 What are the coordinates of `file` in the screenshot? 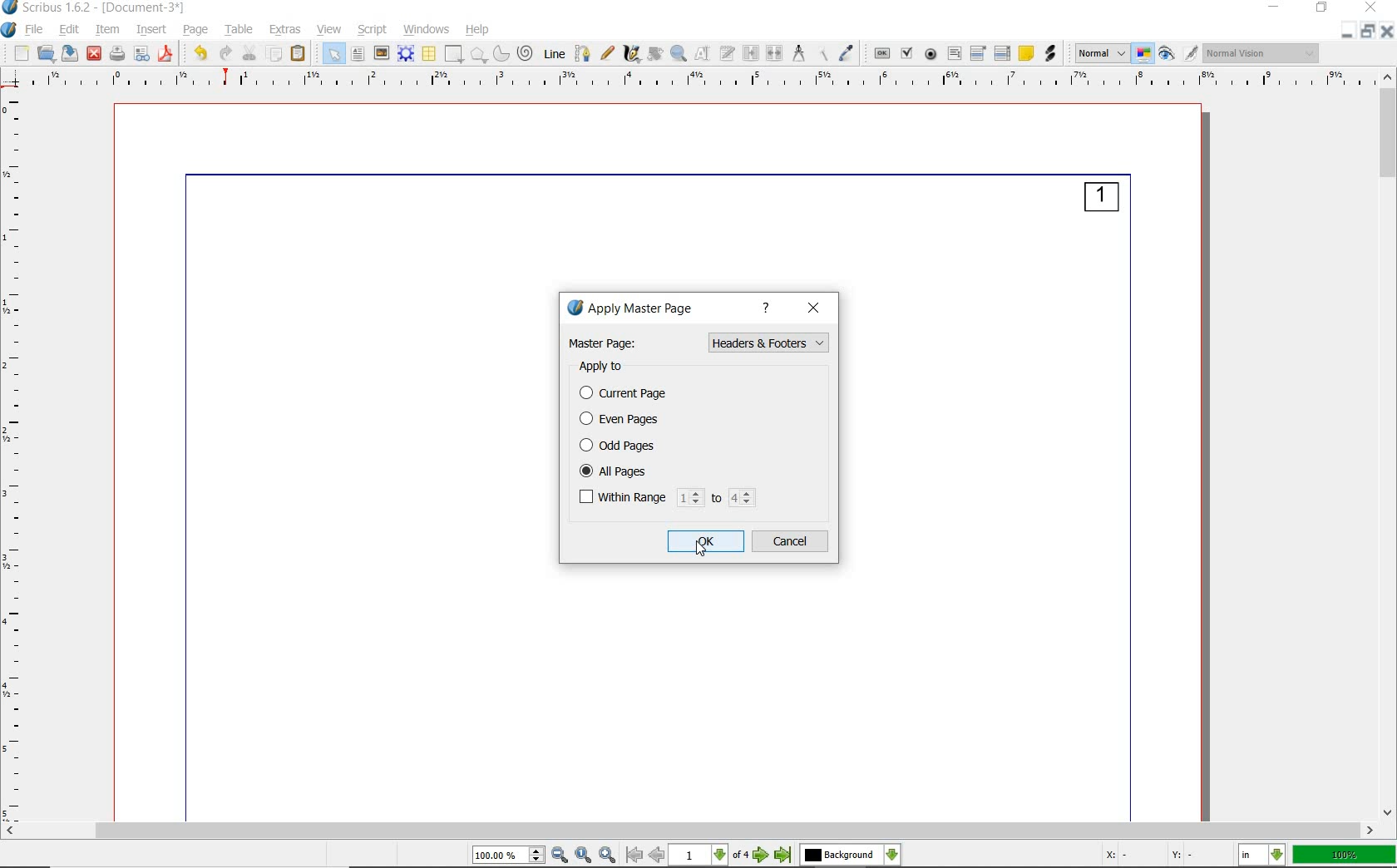 It's located at (36, 30).